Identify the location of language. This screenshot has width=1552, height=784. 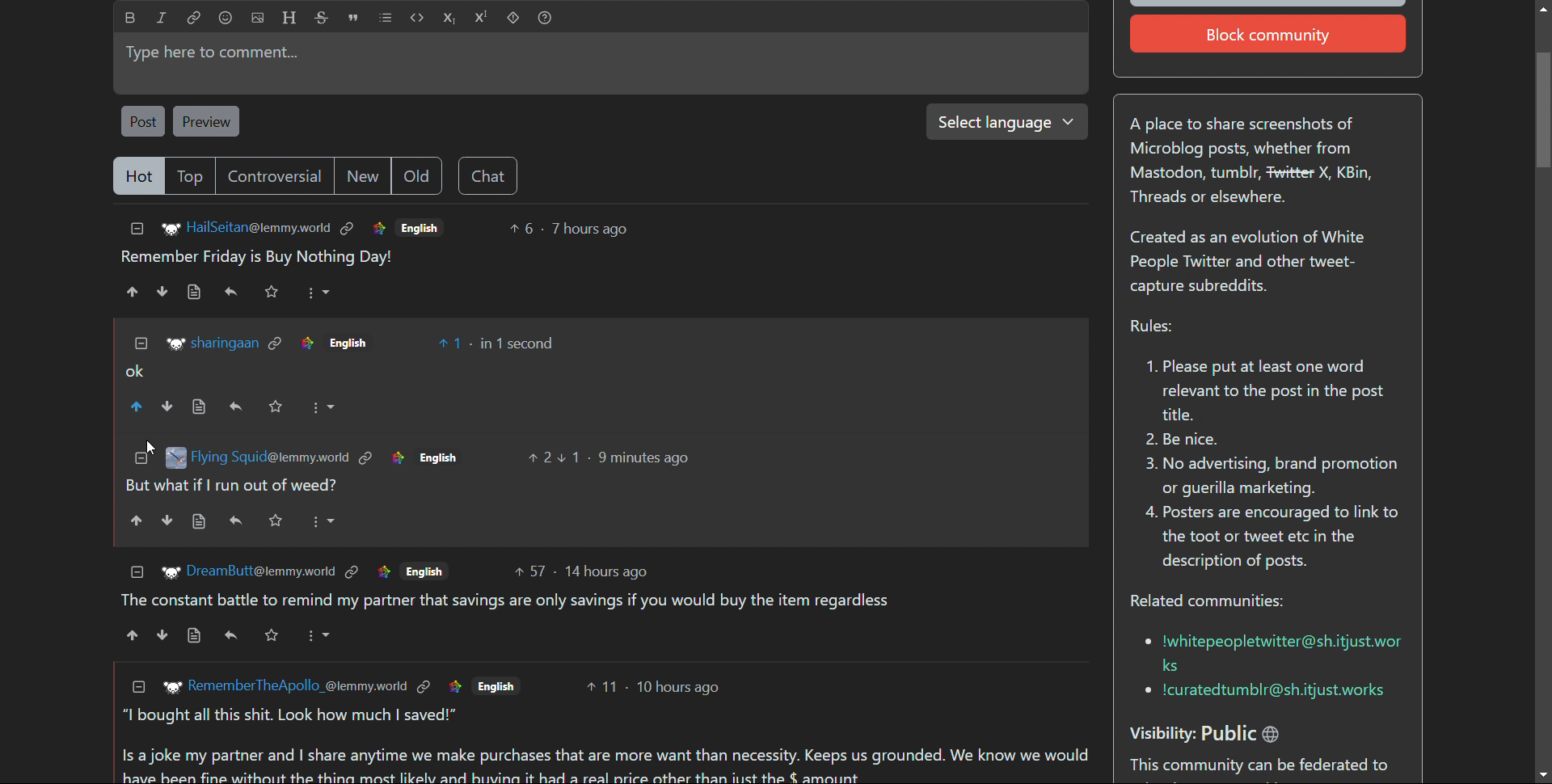
(420, 226).